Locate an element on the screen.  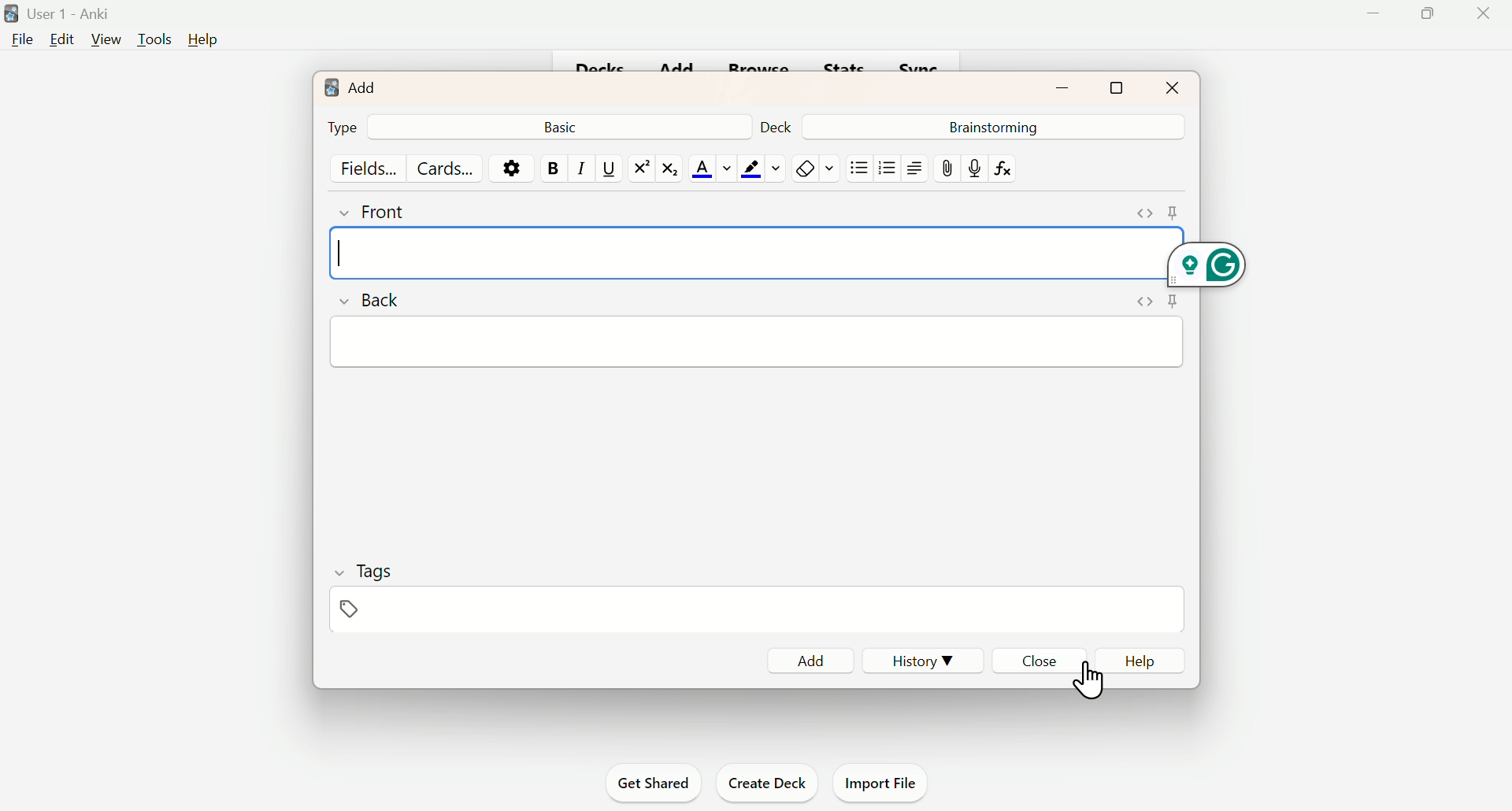
Fields... is located at coordinates (372, 168).